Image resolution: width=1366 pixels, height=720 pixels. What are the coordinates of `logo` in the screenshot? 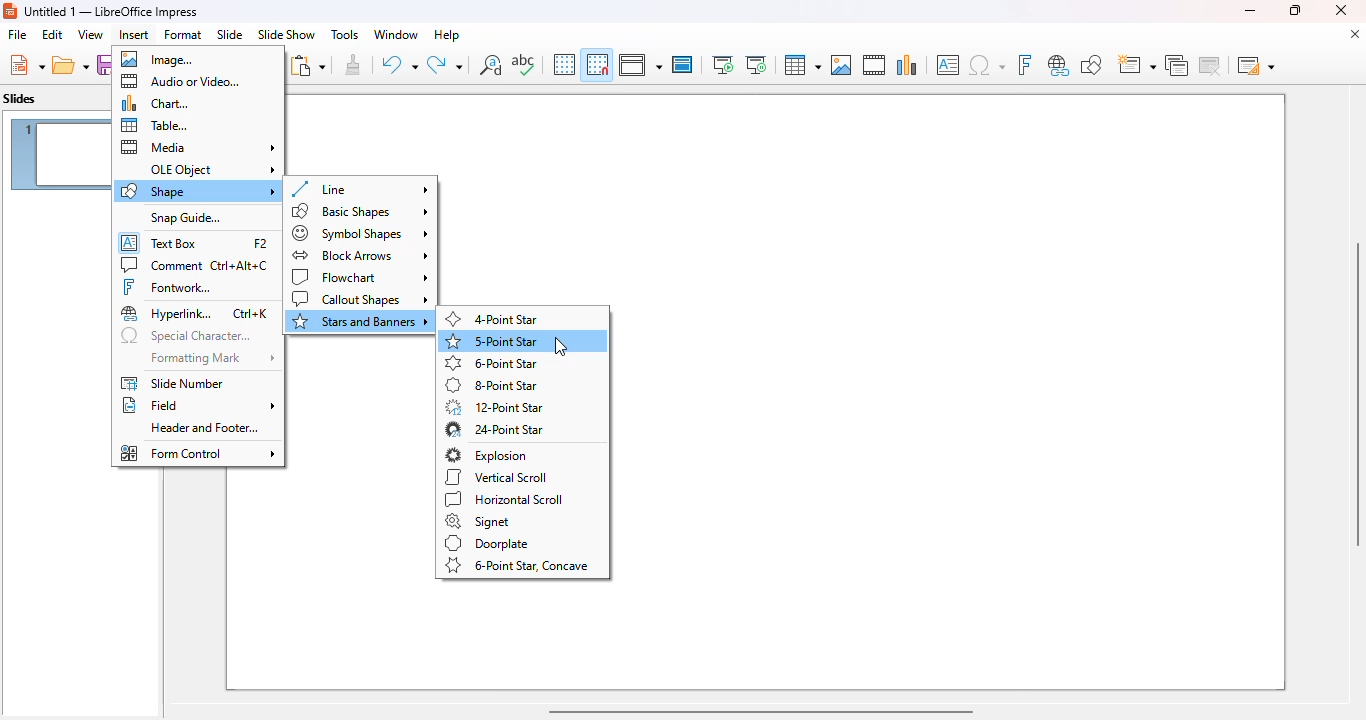 It's located at (10, 11).